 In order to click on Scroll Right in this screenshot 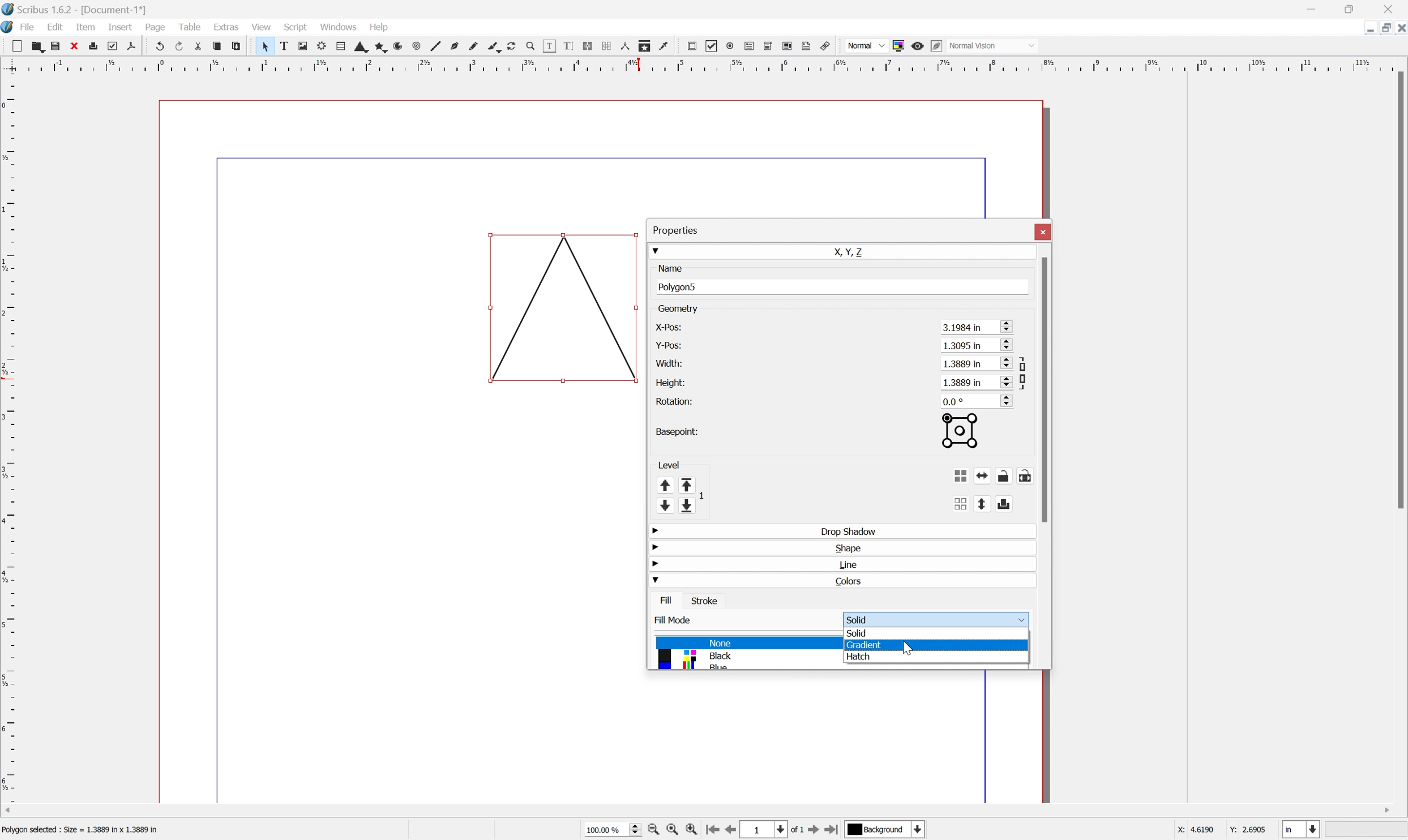, I will do `click(1384, 811)`.